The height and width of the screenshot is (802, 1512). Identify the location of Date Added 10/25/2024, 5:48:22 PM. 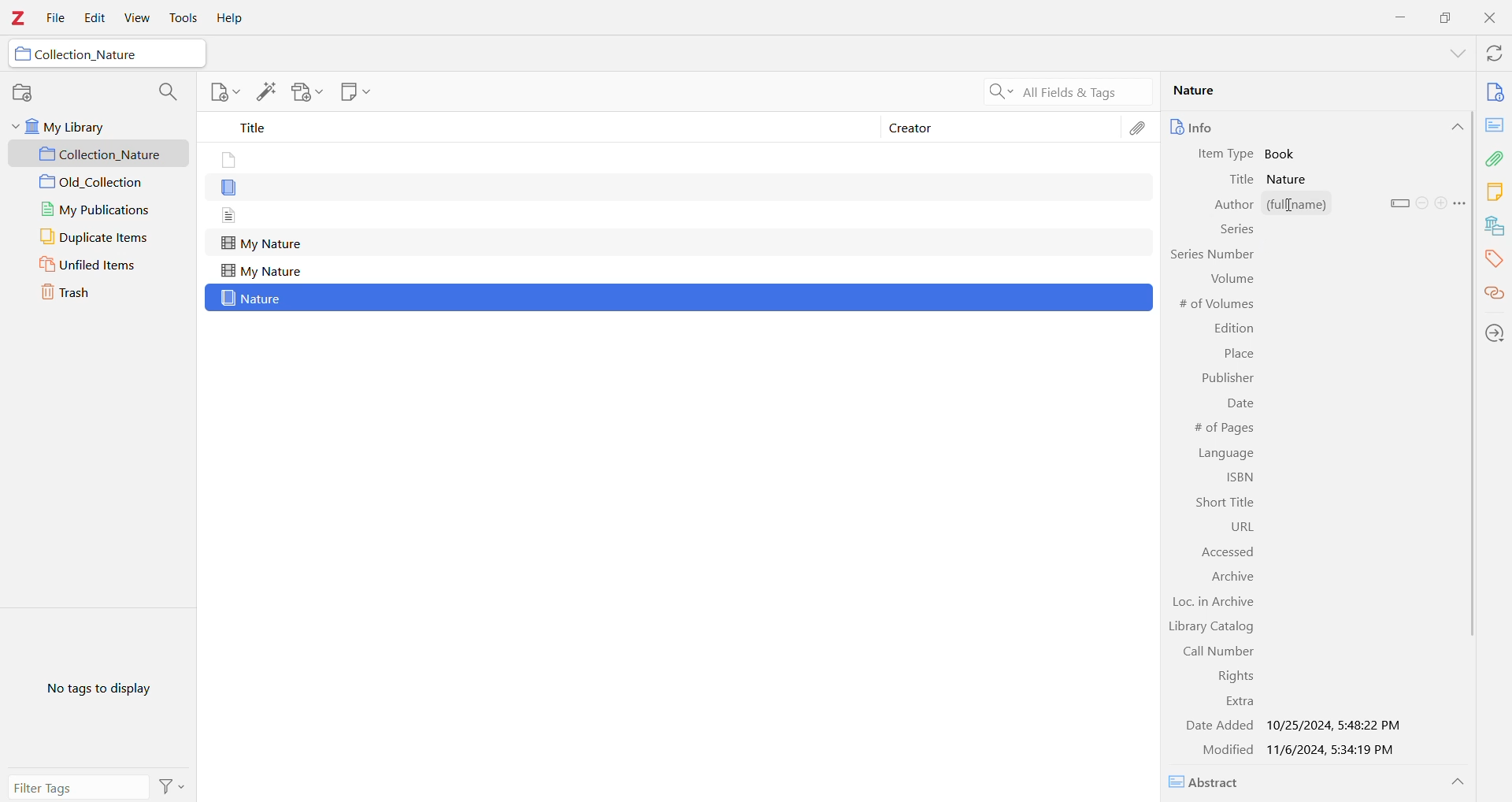
(1293, 726).